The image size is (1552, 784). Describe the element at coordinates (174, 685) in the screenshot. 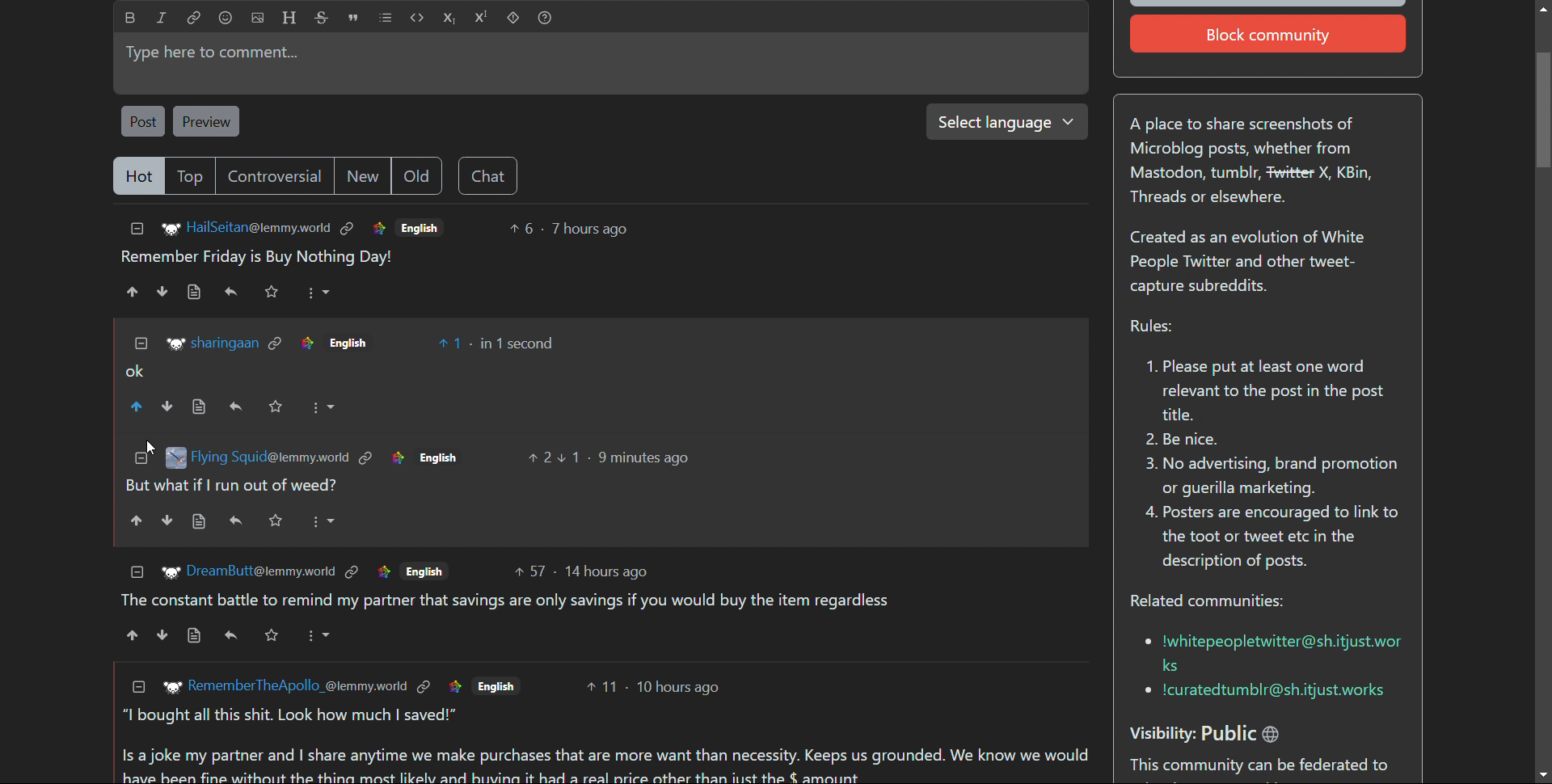

I see `image` at that location.